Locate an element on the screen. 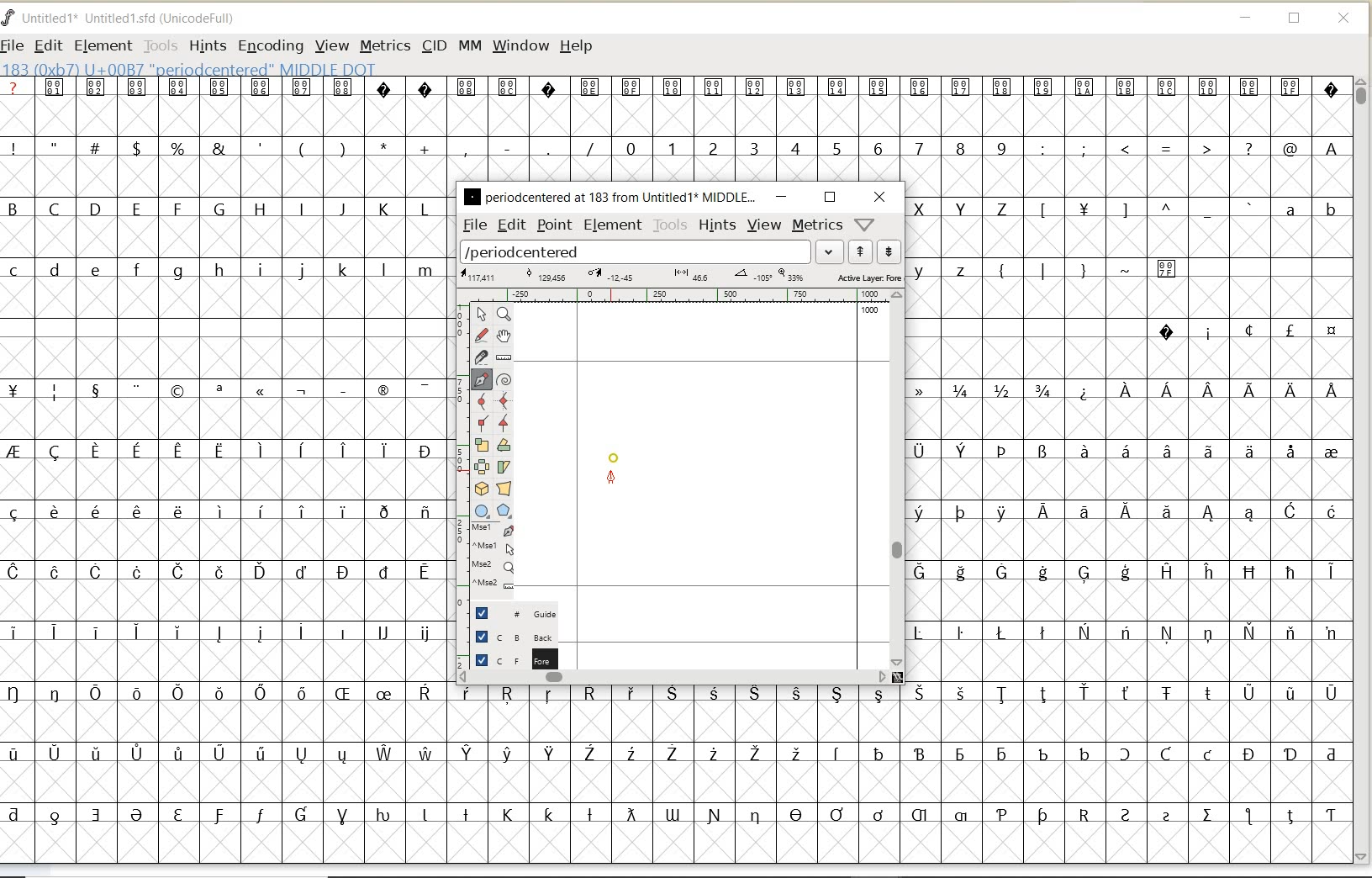 The image size is (1372, 878). glyph name is located at coordinates (609, 196).